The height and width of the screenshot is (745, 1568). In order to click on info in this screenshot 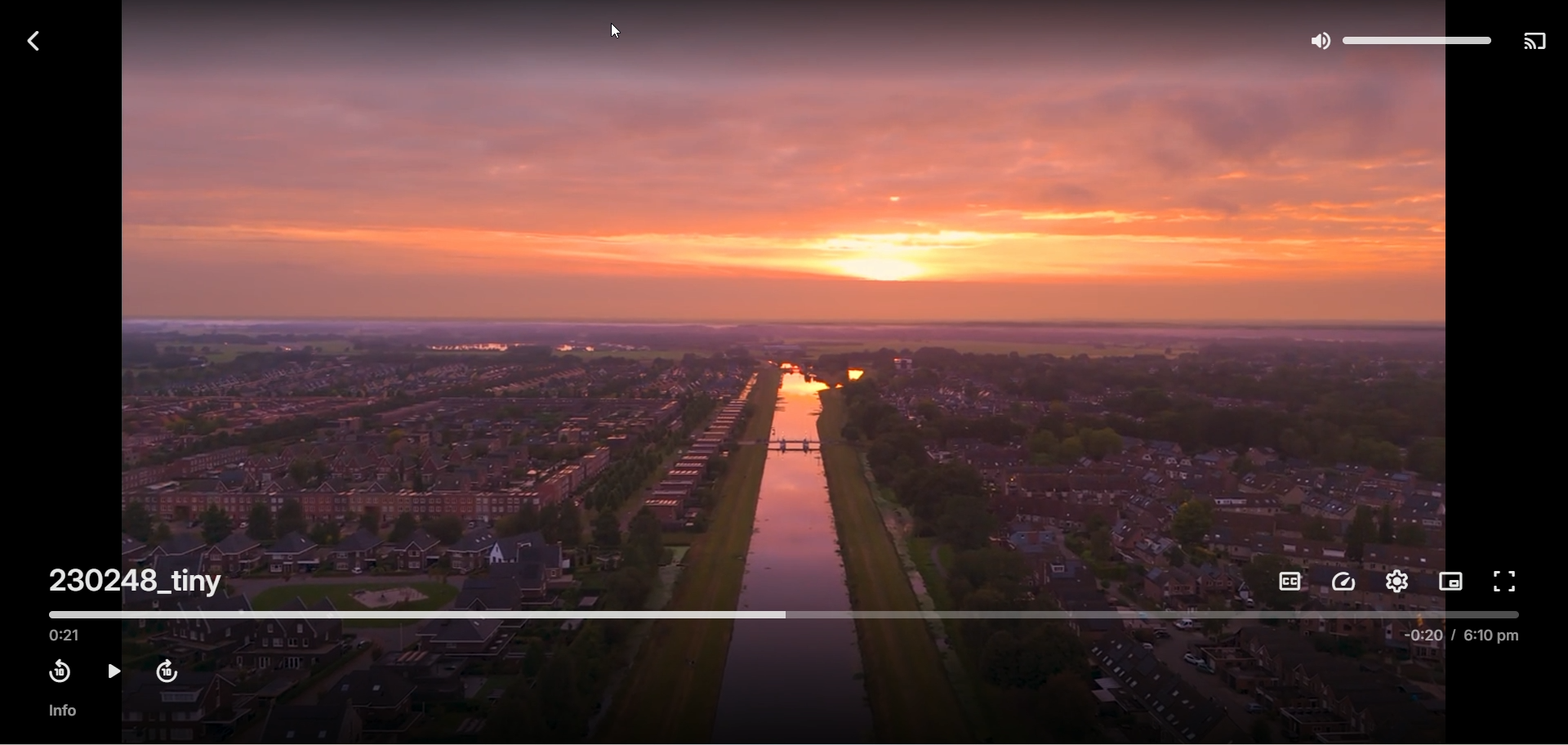, I will do `click(62, 710)`.